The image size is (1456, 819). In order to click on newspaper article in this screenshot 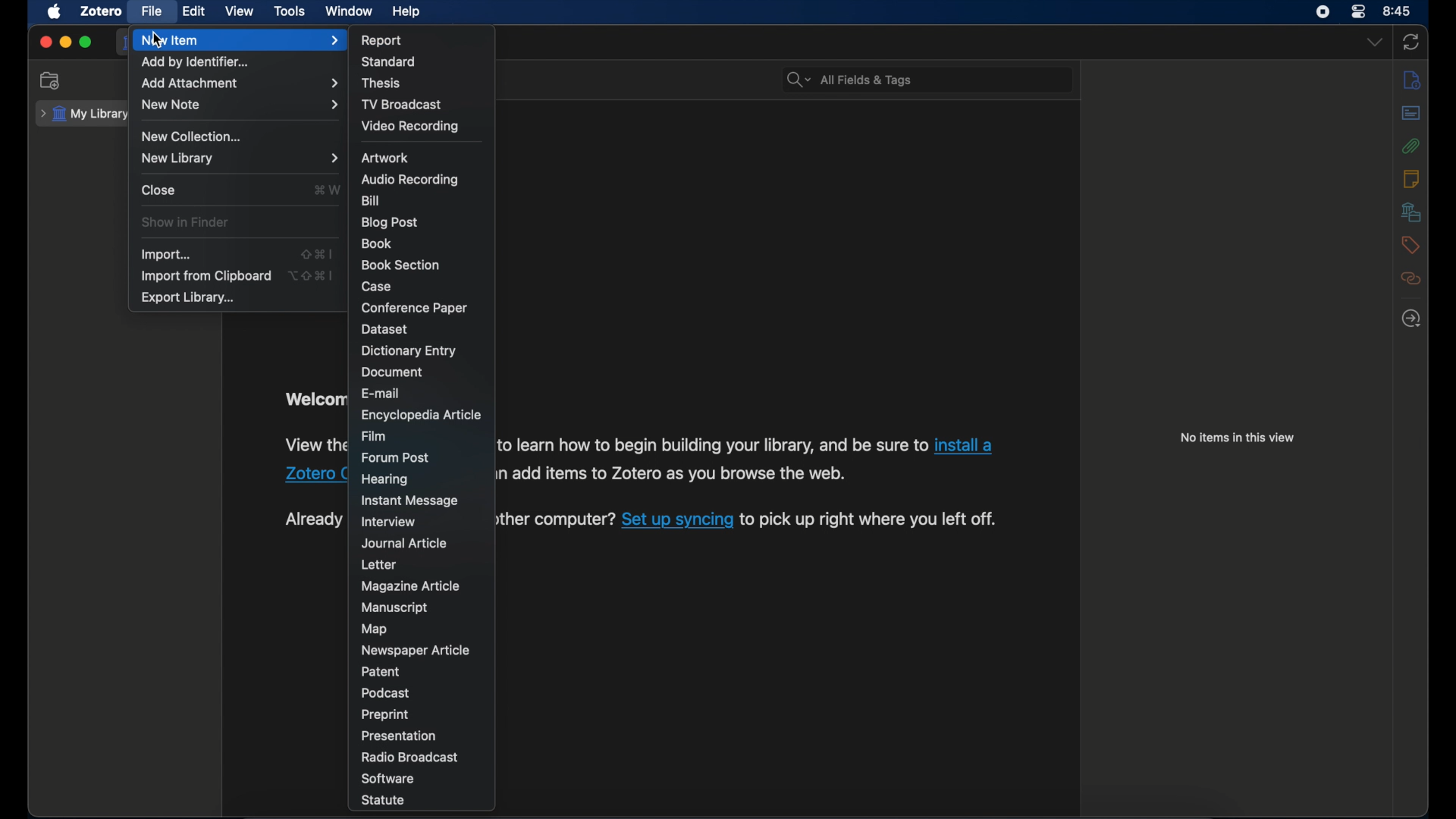, I will do `click(415, 649)`.